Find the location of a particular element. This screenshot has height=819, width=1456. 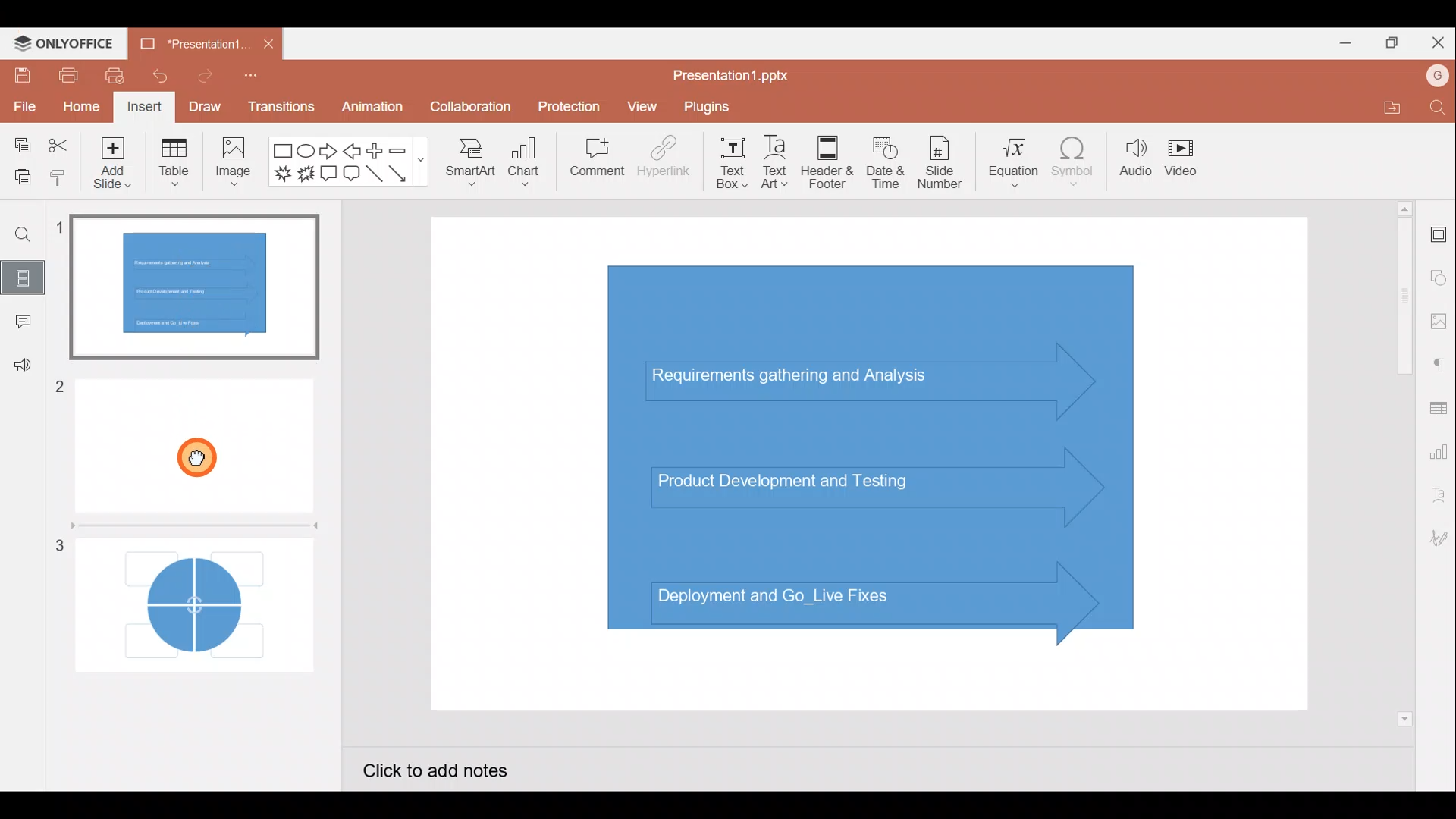

Customize quick access toolbar is located at coordinates (249, 79).